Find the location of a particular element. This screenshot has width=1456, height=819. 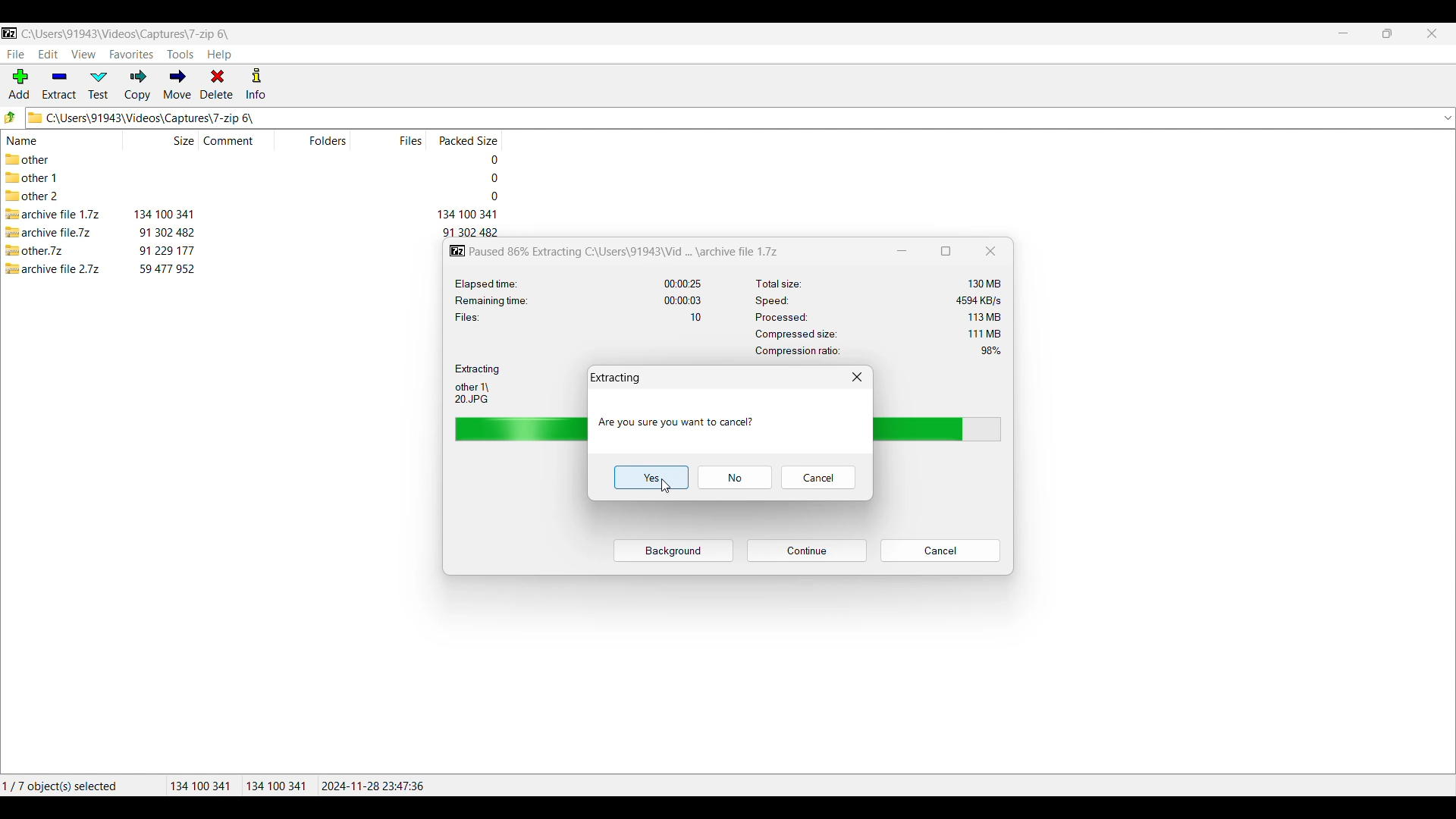

View menu is located at coordinates (84, 55).